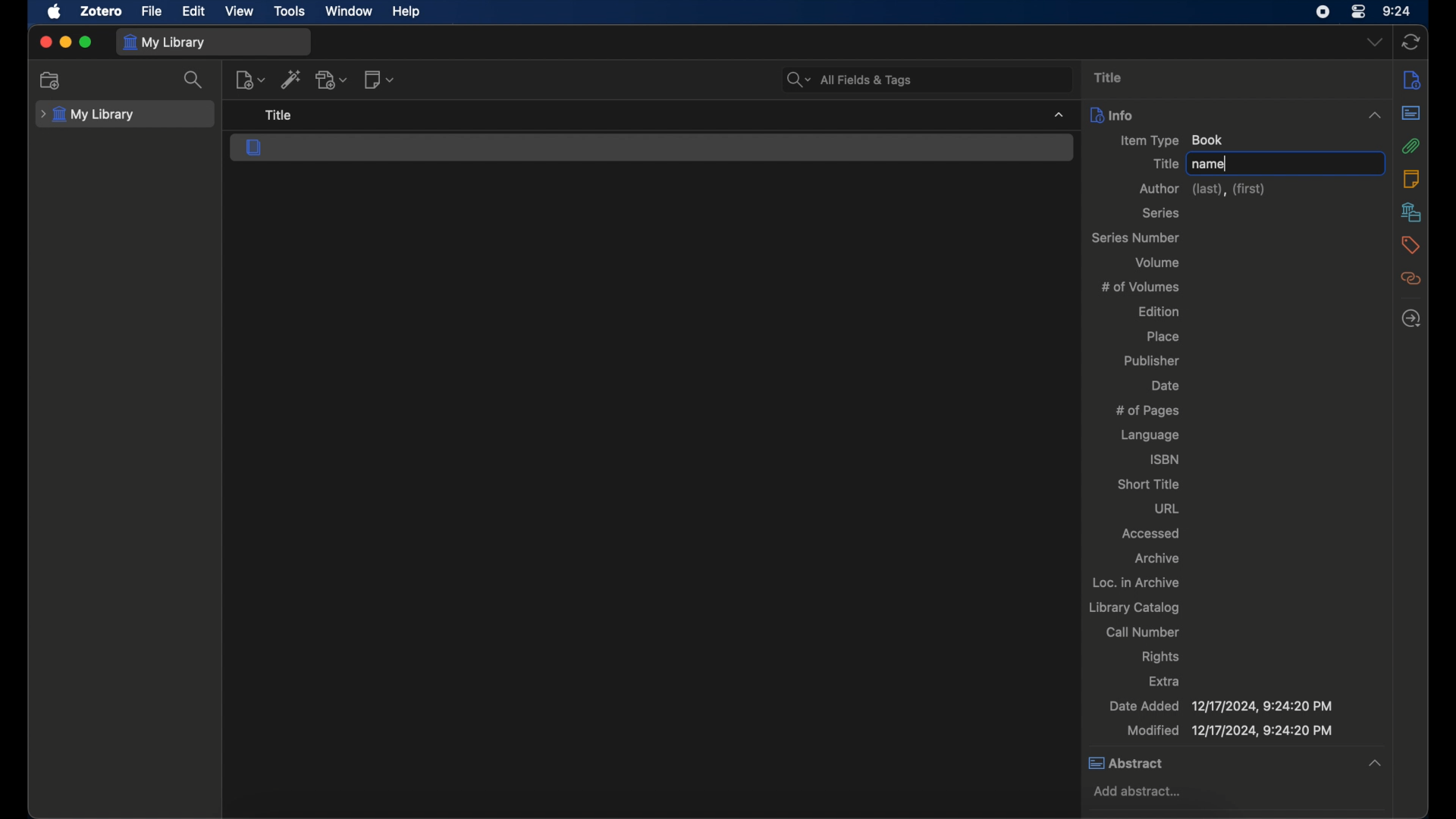 The height and width of the screenshot is (819, 1456). What do you see at coordinates (406, 12) in the screenshot?
I see `help` at bounding box center [406, 12].